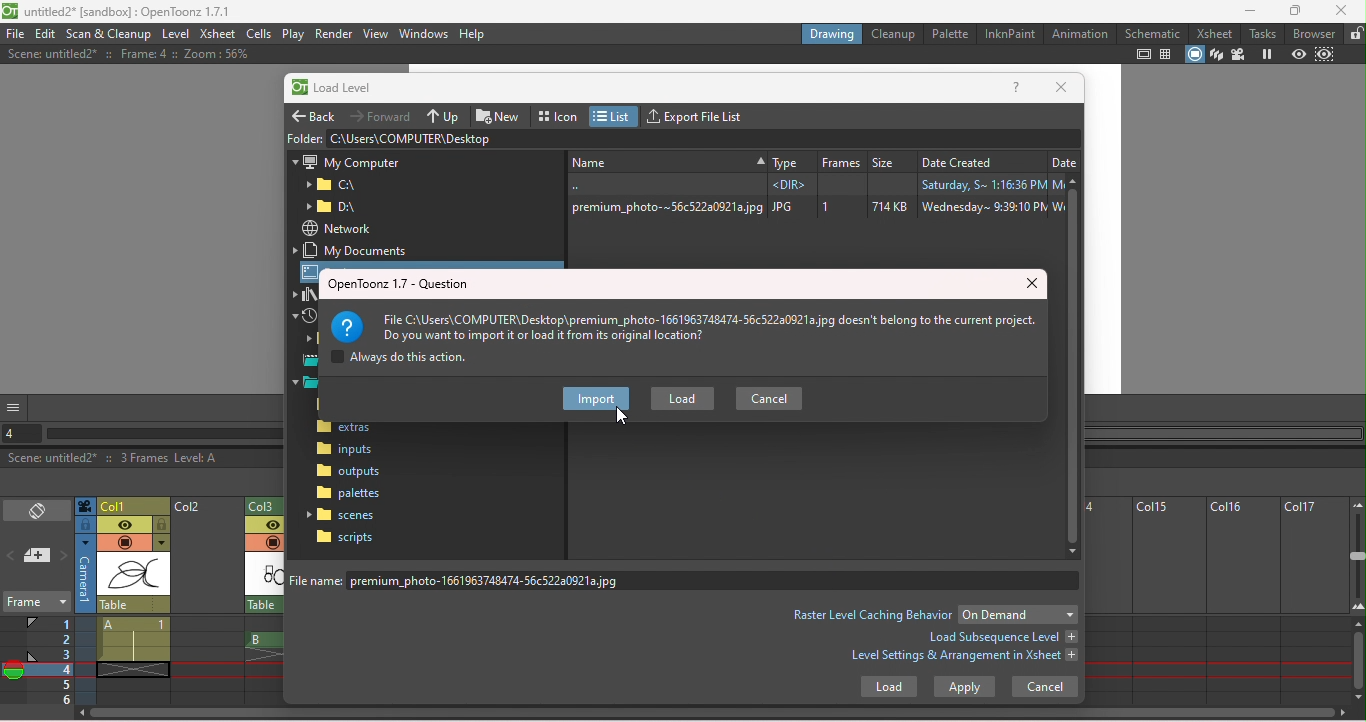 This screenshot has height=722, width=1366. What do you see at coordinates (346, 160) in the screenshot?
I see `My computer` at bounding box center [346, 160].